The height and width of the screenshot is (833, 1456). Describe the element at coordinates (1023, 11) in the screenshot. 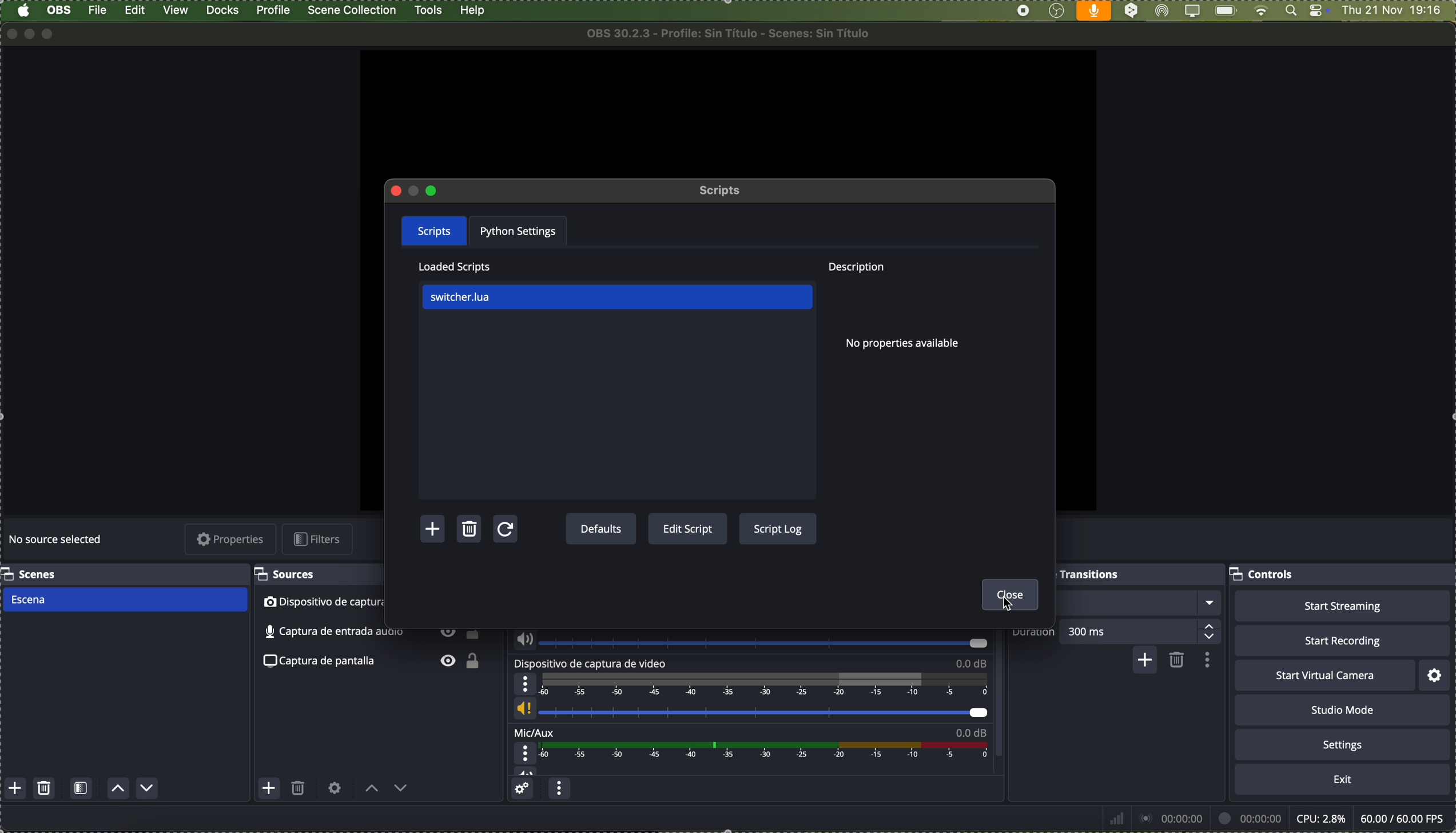

I see `stop recording` at that location.